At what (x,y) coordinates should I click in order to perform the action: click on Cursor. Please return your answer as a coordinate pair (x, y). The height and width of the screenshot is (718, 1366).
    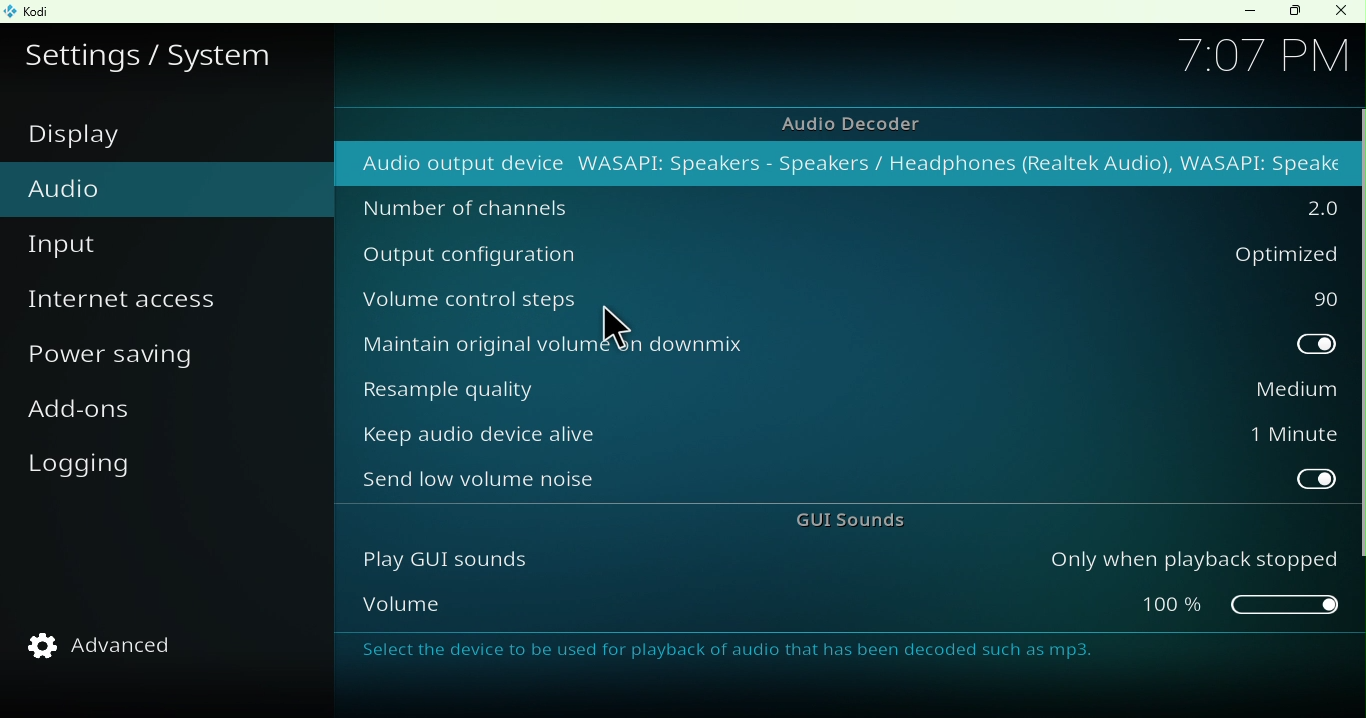
    Looking at the image, I should click on (618, 327).